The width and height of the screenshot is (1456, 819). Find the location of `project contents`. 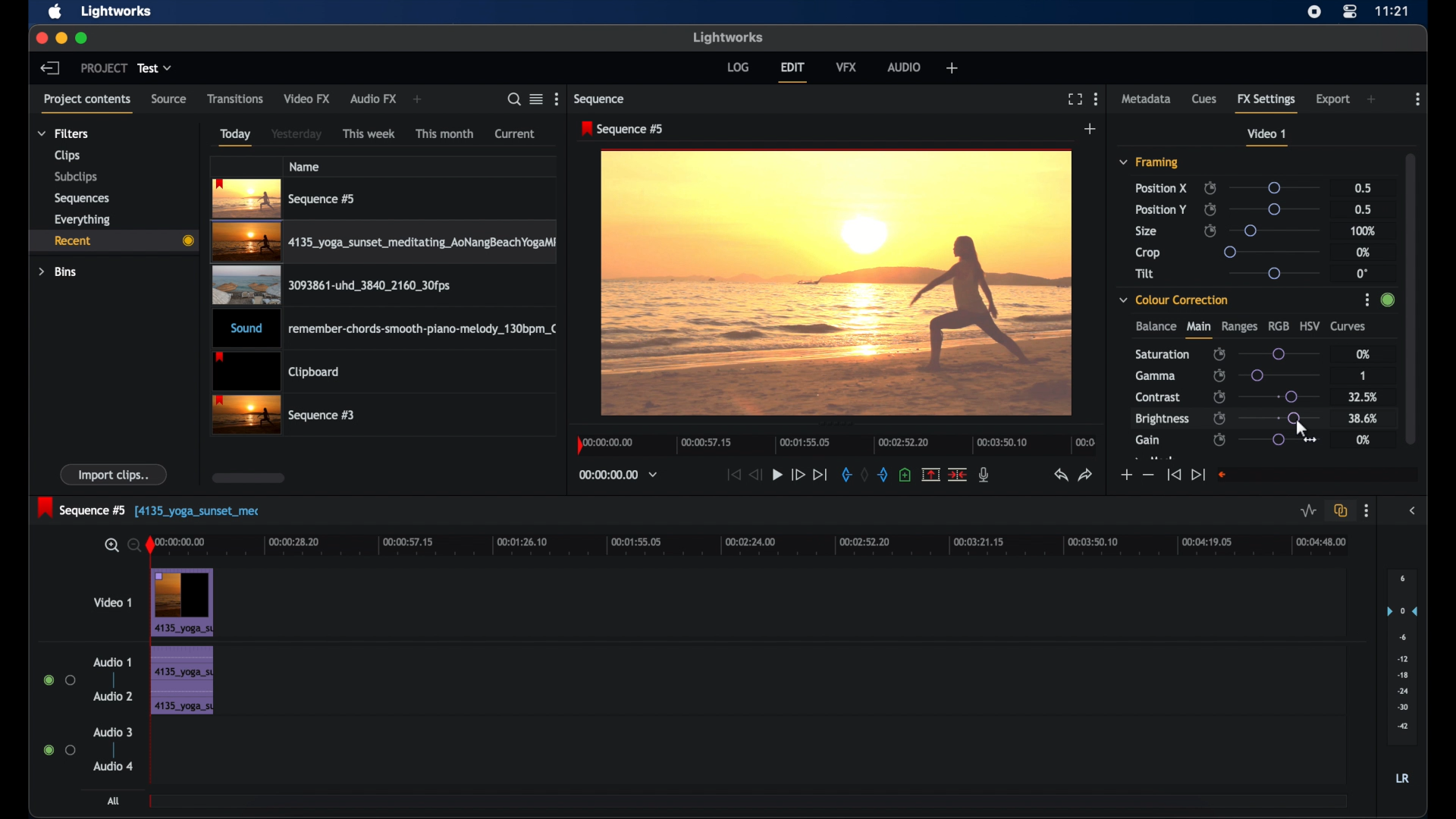

project contents is located at coordinates (86, 102).